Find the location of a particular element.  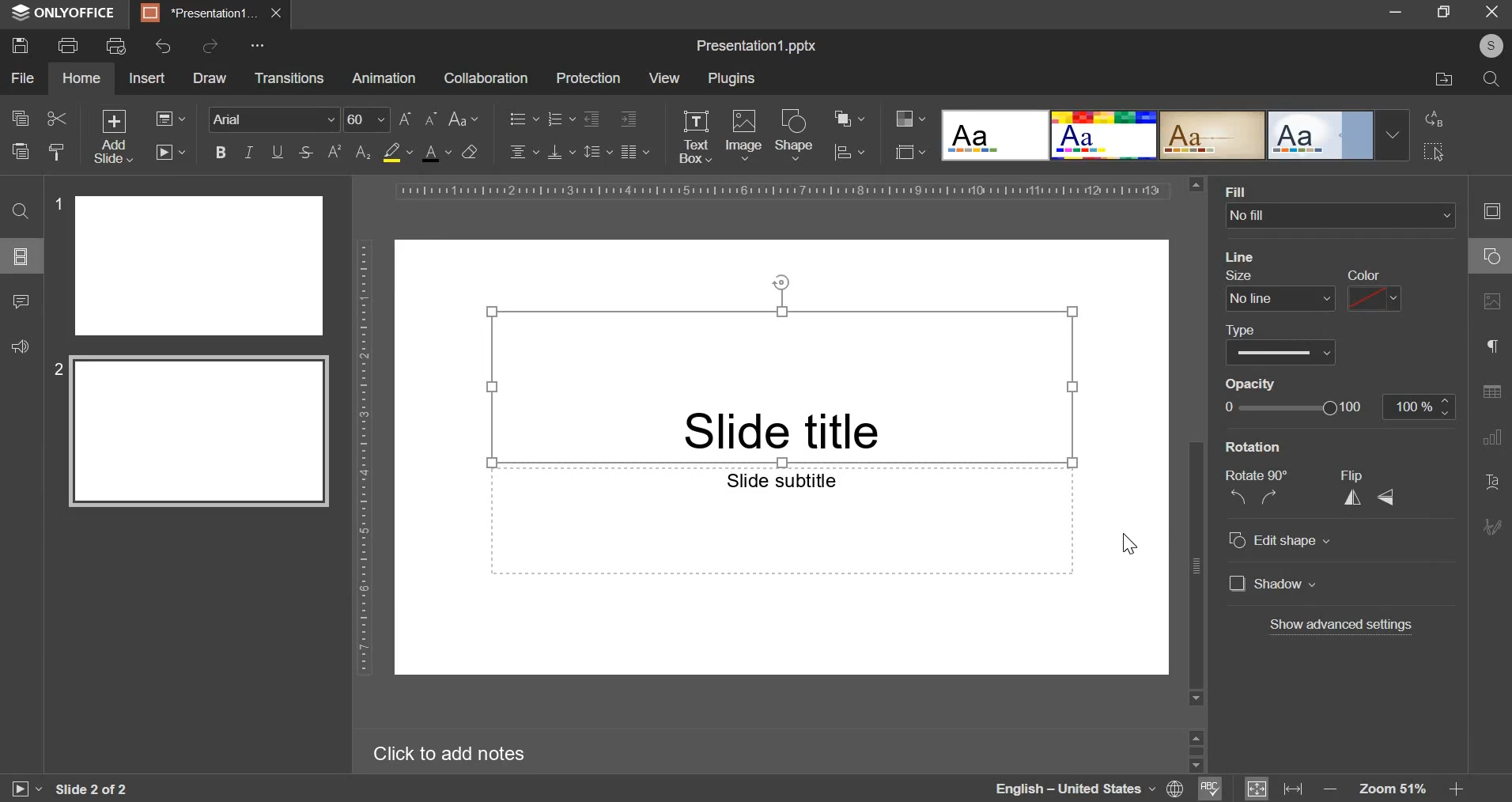

left is located at coordinates (1239, 497).